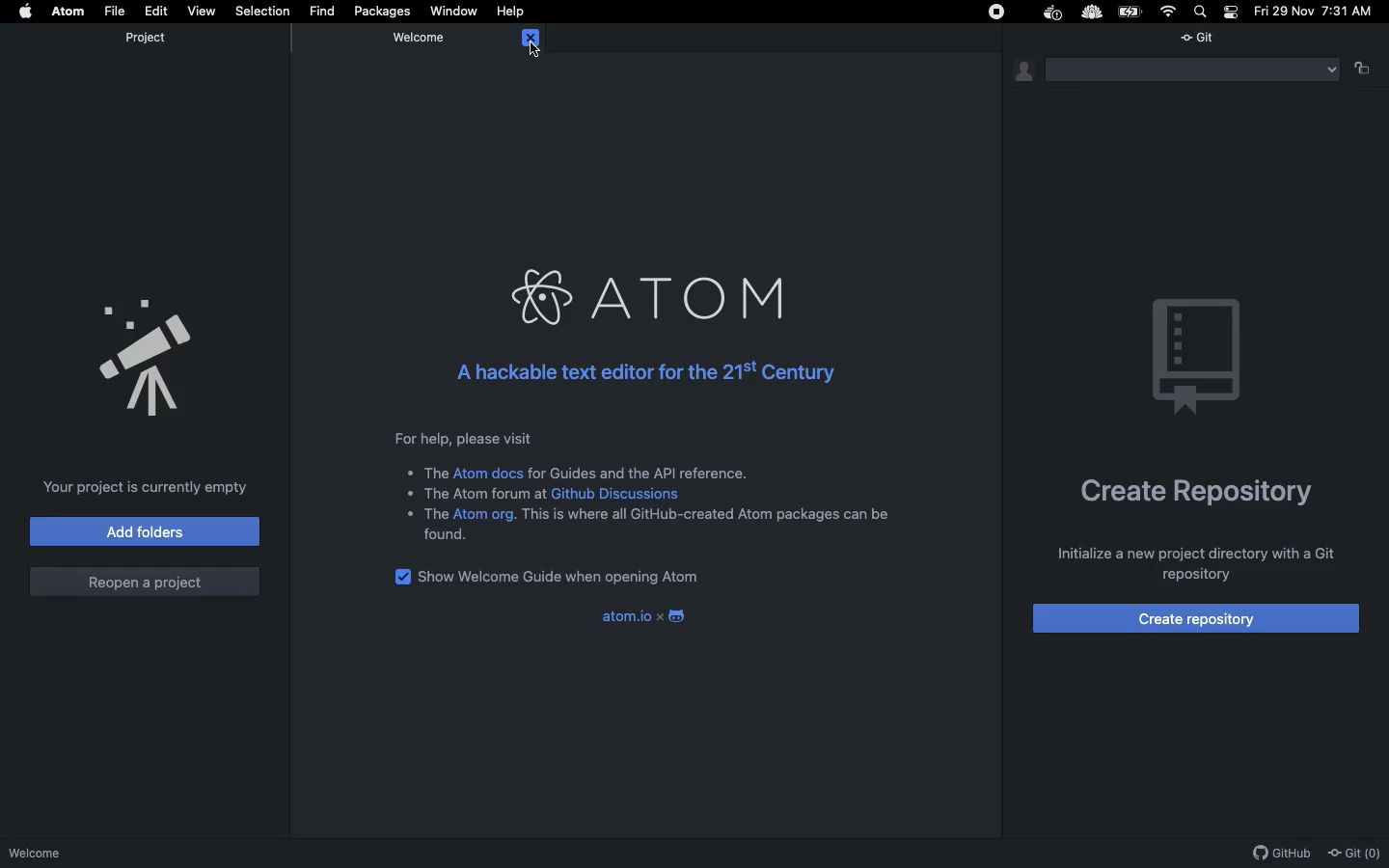 The height and width of the screenshot is (868, 1389). I want to click on Announcement , so click(143, 354).